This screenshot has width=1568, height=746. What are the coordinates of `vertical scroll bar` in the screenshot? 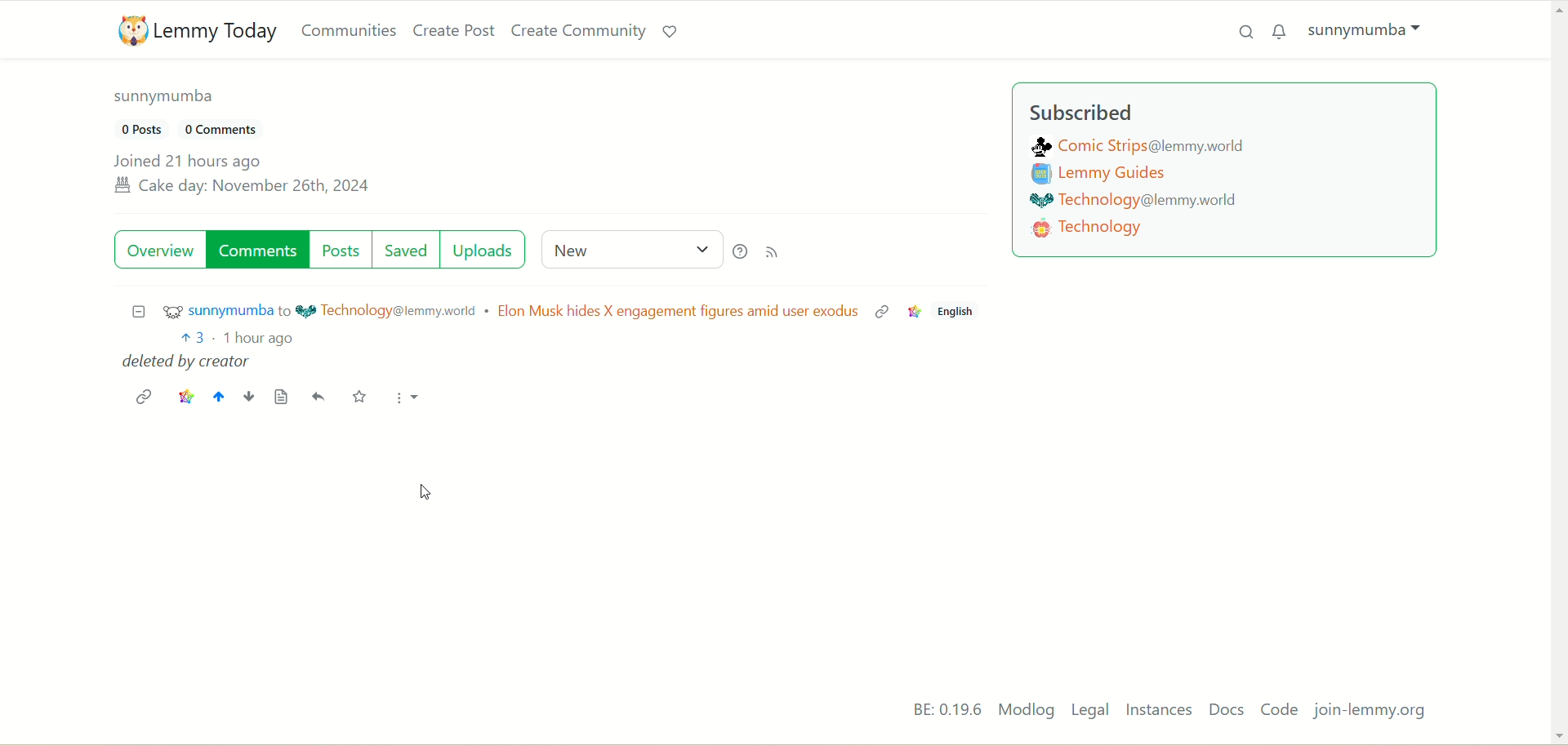 It's located at (1558, 371).